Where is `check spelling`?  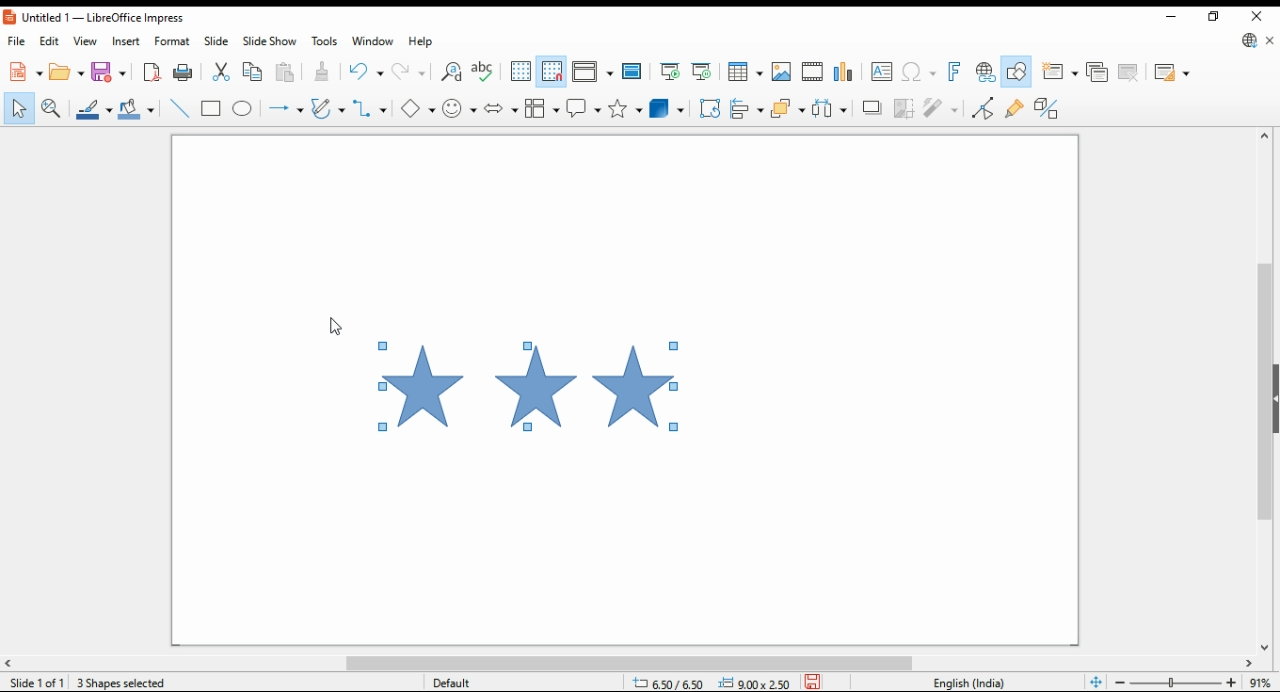 check spelling is located at coordinates (484, 73).